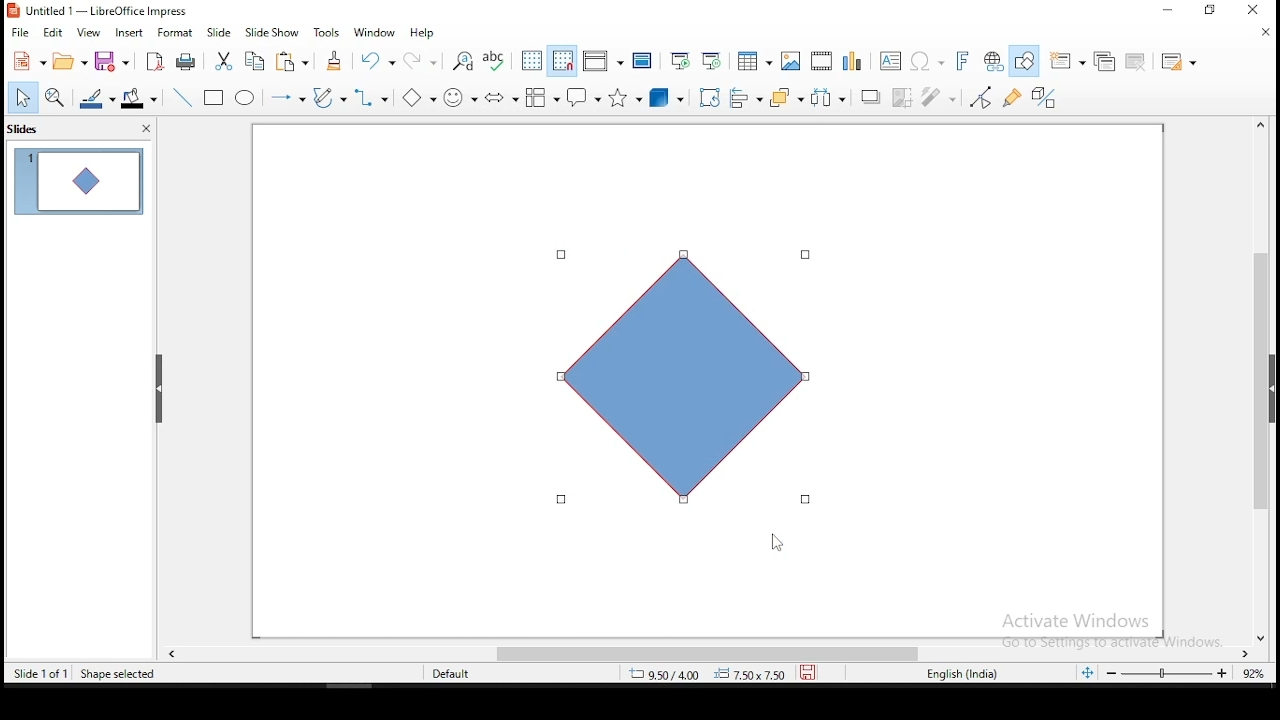 This screenshot has width=1280, height=720. What do you see at coordinates (626, 97) in the screenshot?
I see `stars and banners` at bounding box center [626, 97].